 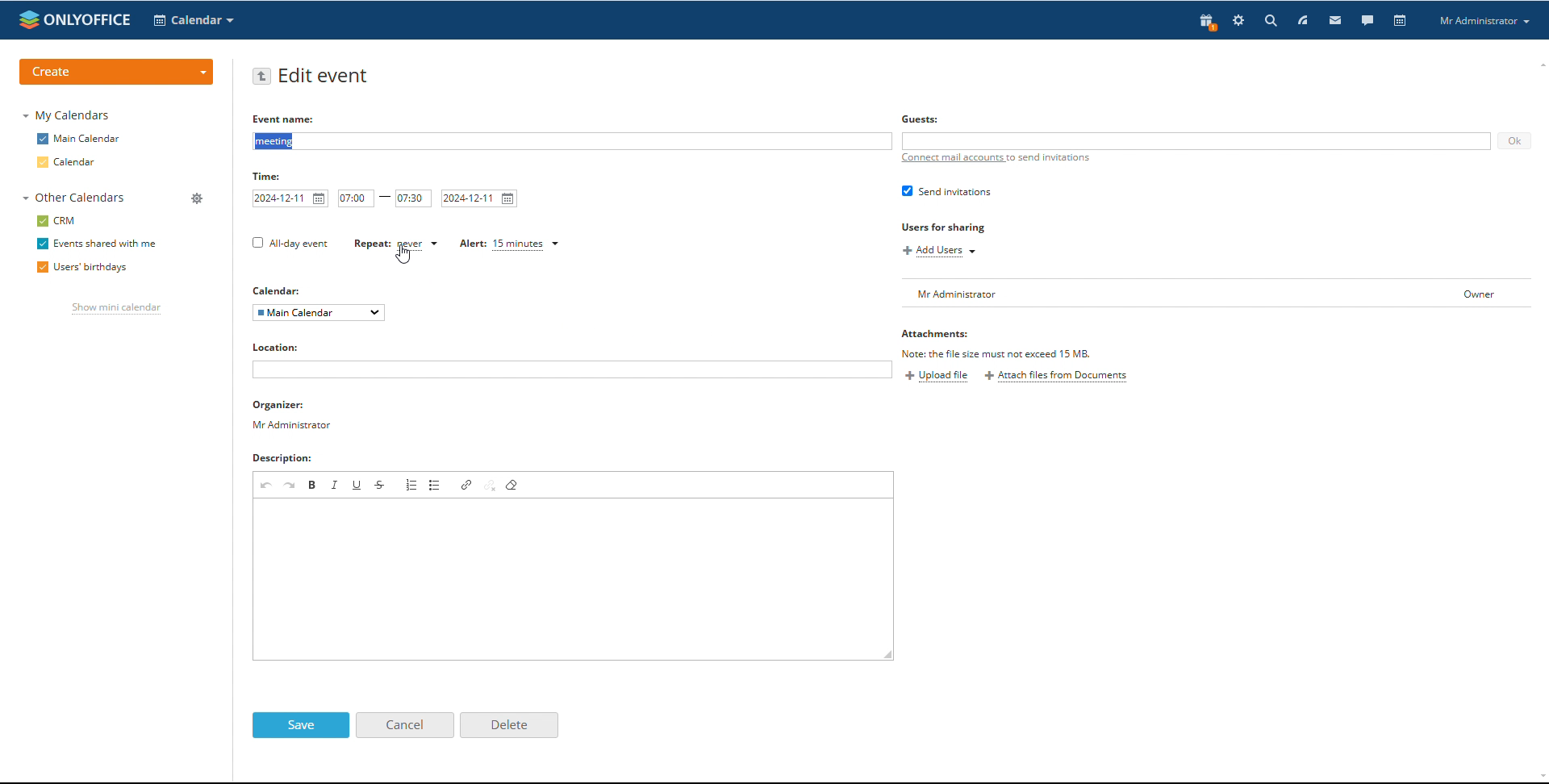 I want to click on logo, so click(x=73, y=19).